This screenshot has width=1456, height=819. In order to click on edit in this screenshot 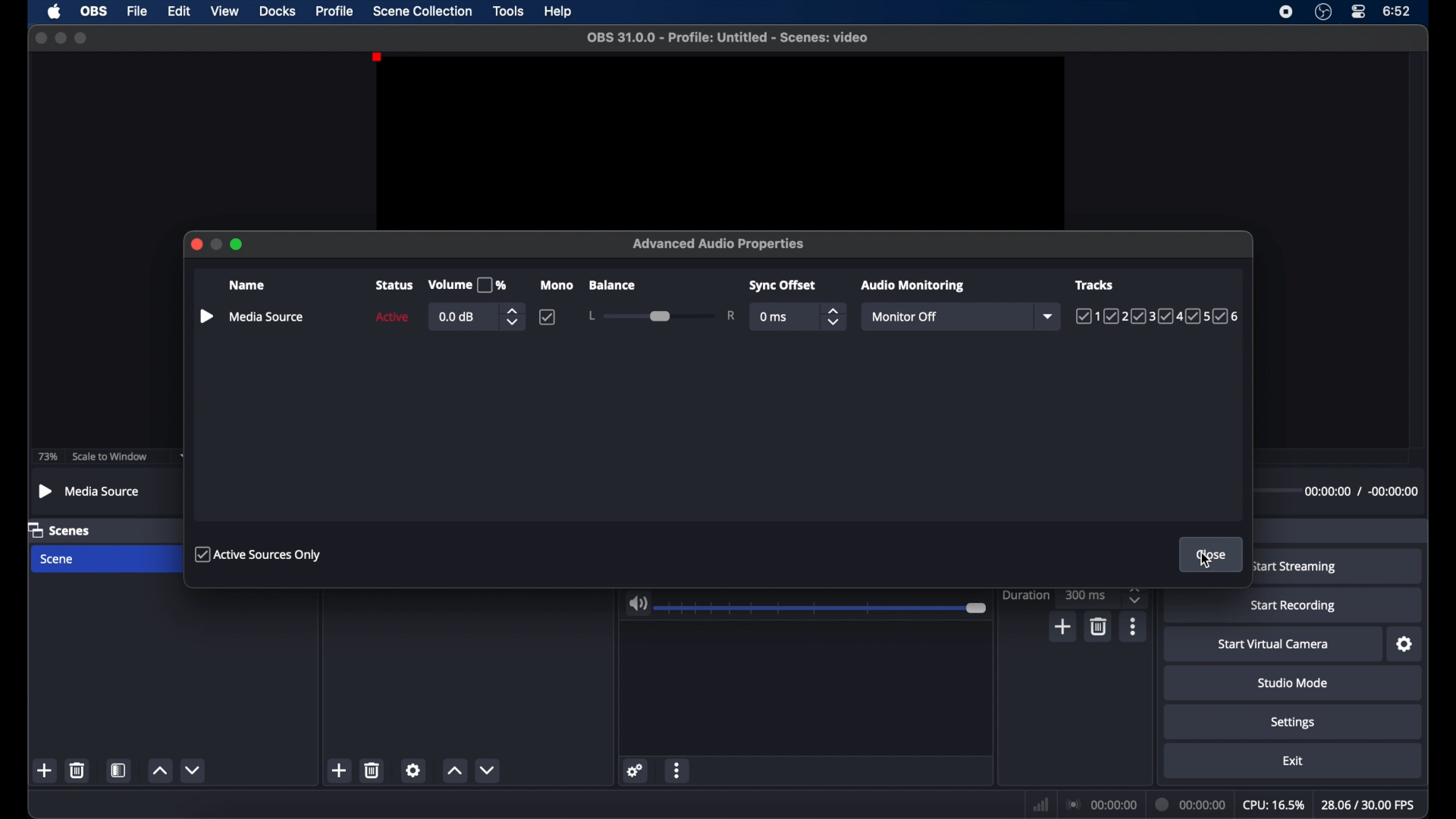, I will do `click(178, 11)`.